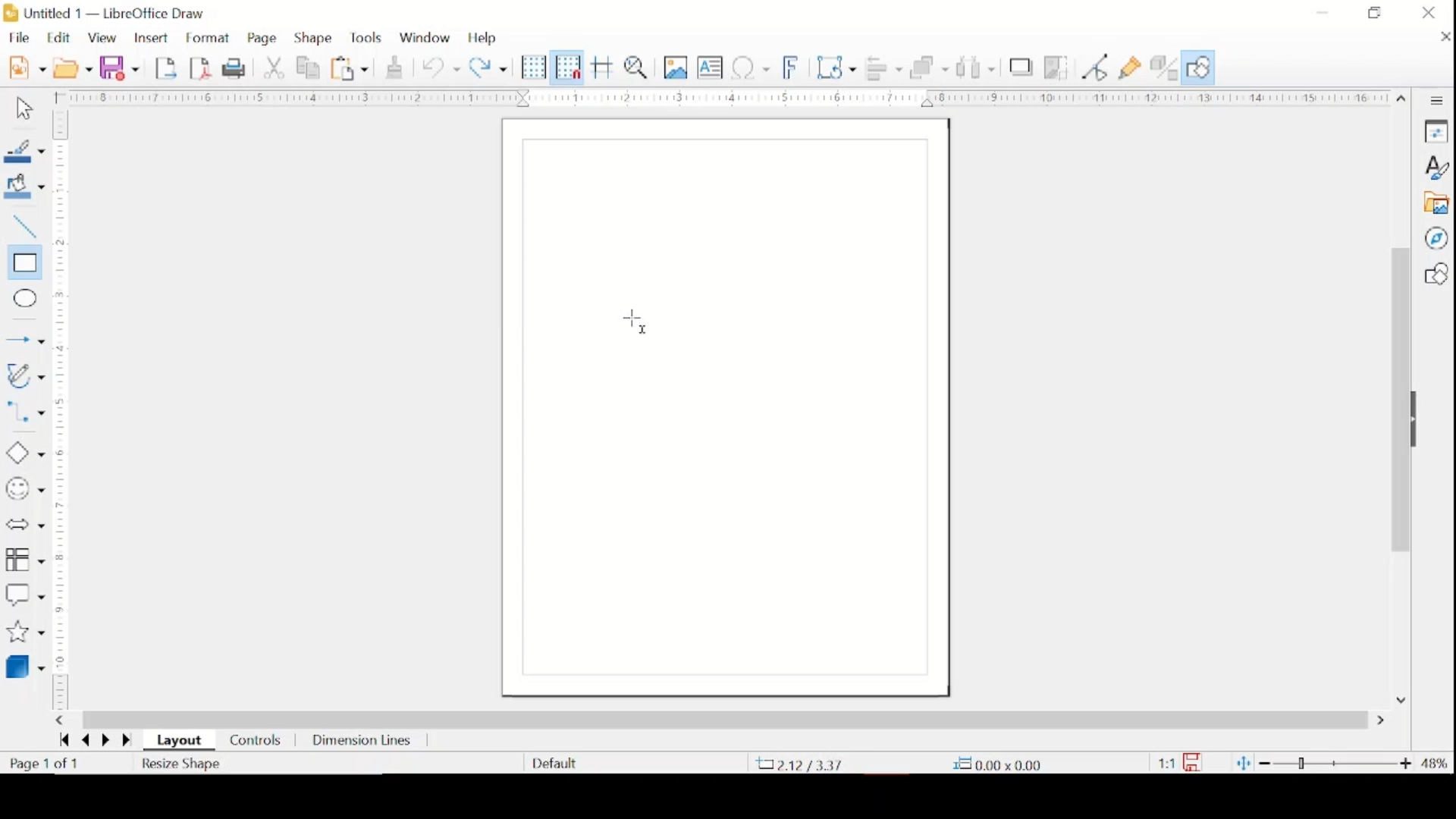 This screenshot has width=1456, height=819. What do you see at coordinates (639, 67) in the screenshot?
I see `zoom and pan` at bounding box center [639, 67].